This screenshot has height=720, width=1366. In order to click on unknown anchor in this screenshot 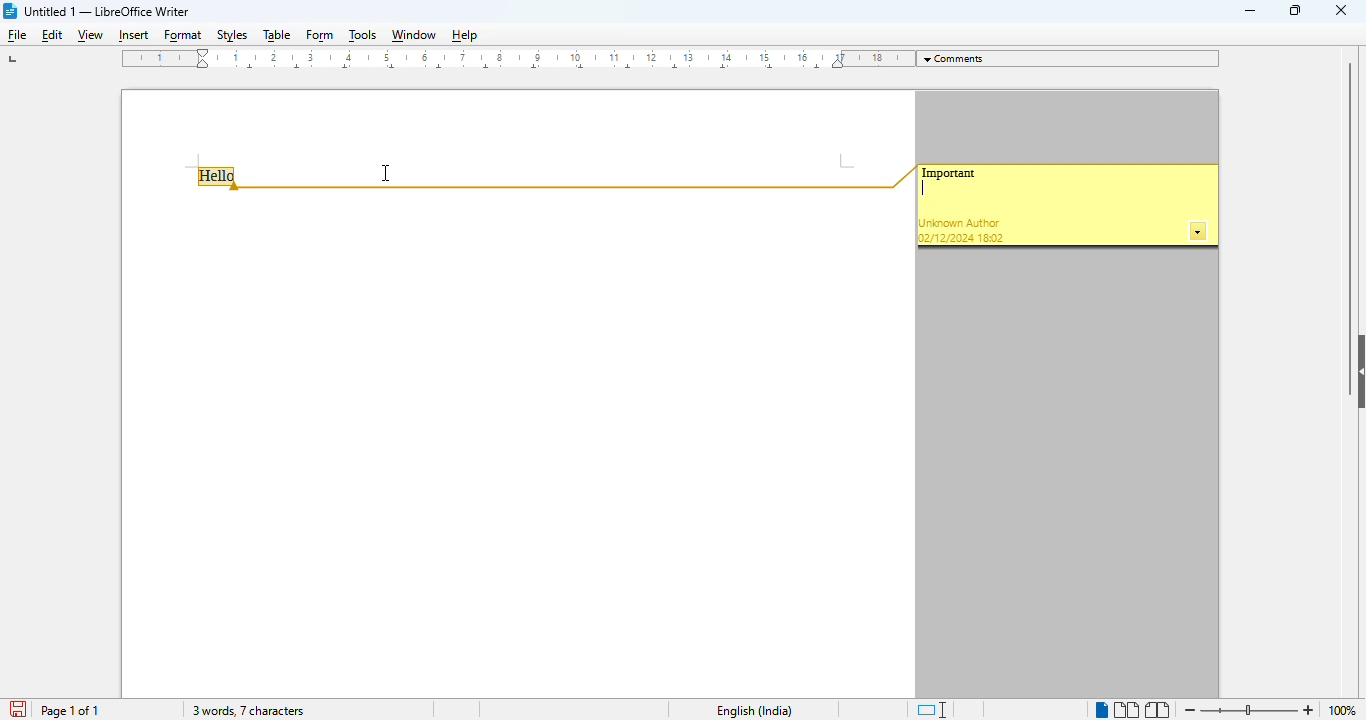, I will do `click(960, 223)`.